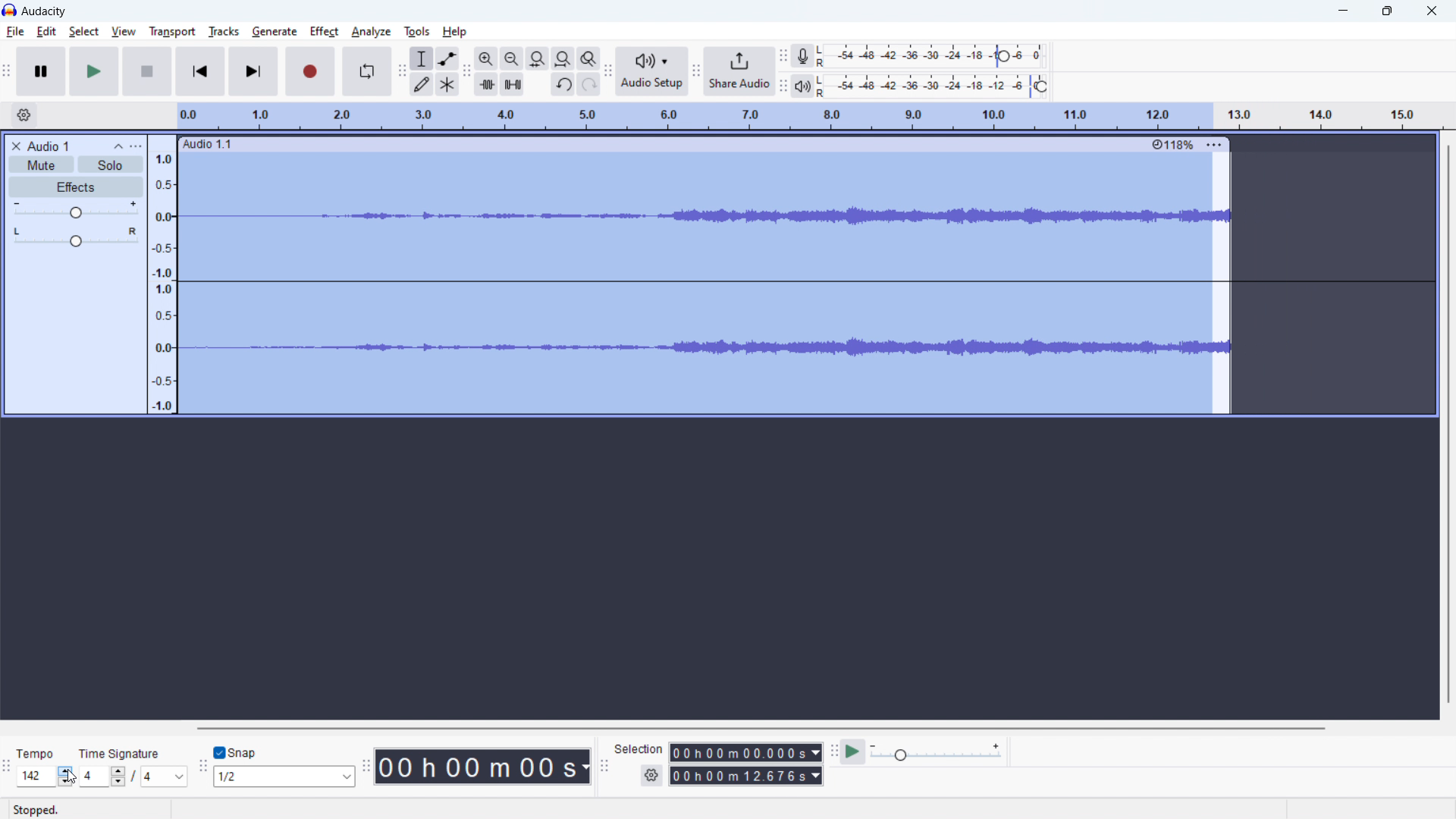 The height and width of the screenshot is (819, 1456). Describe the element at coordinates (201, 71) in the screenshot. I see `skip to start` at that location.